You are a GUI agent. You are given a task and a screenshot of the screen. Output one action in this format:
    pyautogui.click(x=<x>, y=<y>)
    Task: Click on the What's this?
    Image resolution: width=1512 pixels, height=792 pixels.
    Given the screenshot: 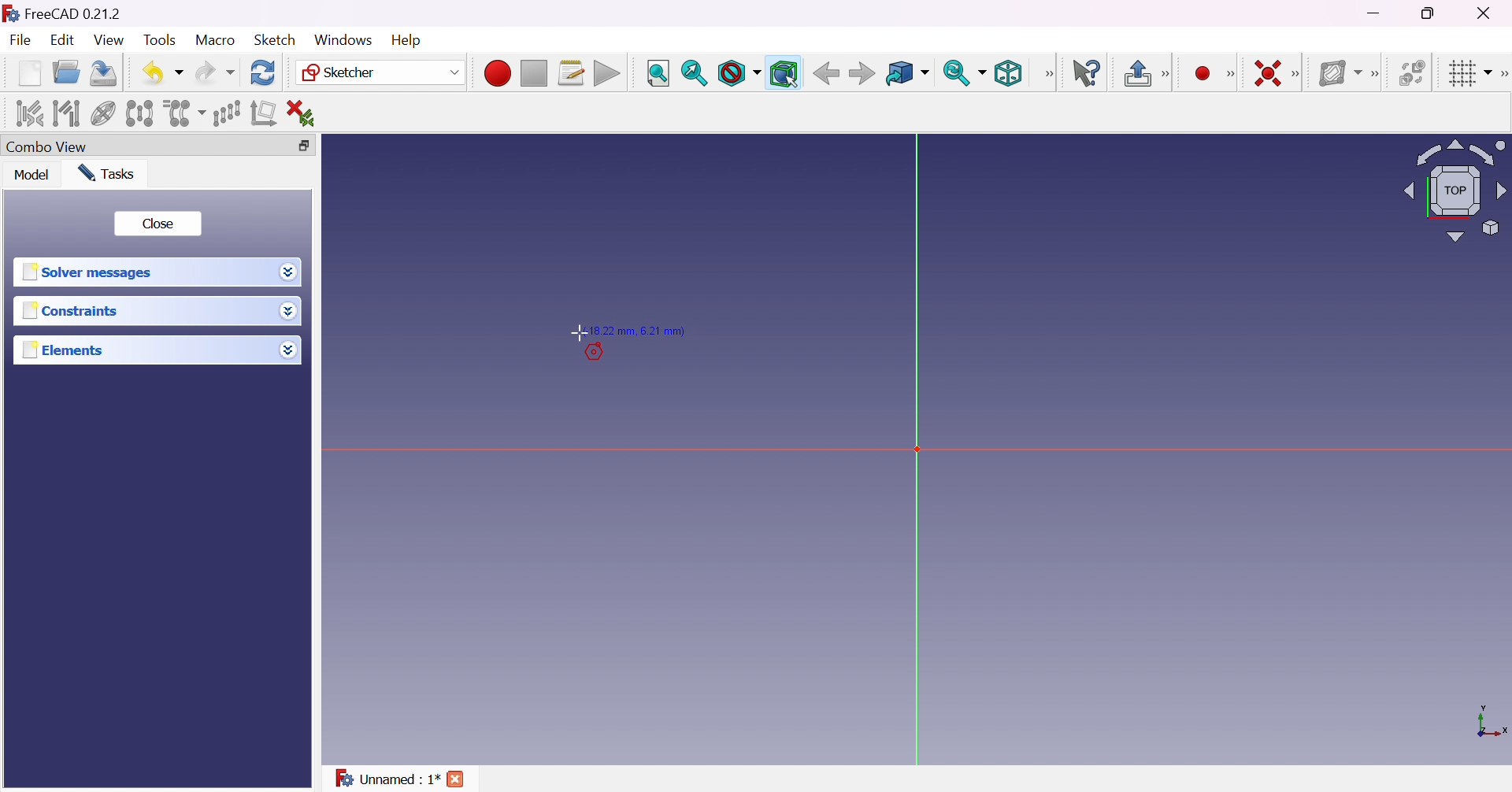 What is the action you would take?
    pyautogui.click(x=1086, y=72)
    